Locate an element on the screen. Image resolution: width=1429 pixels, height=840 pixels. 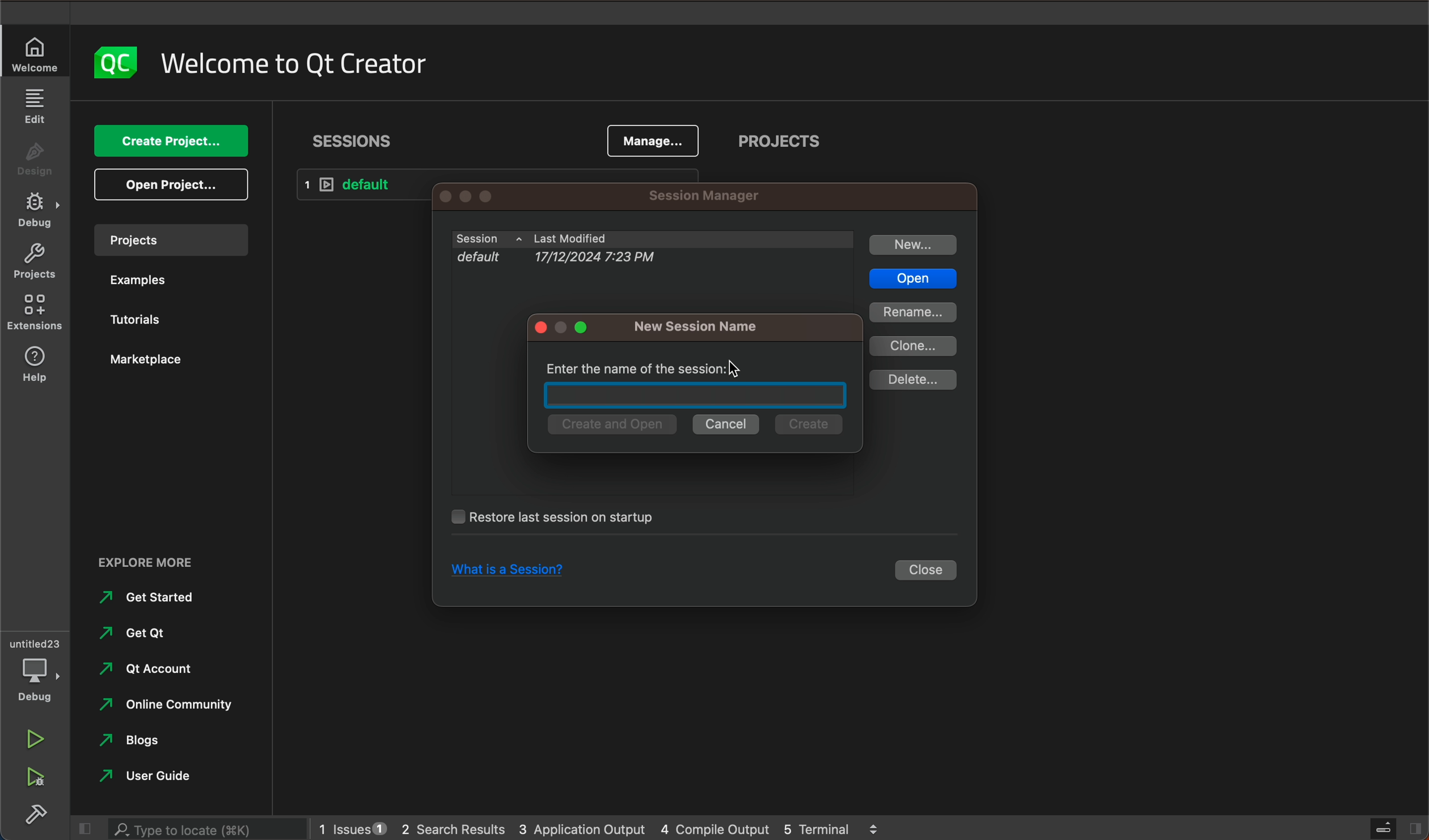
default is located at coordinates (365, 185).